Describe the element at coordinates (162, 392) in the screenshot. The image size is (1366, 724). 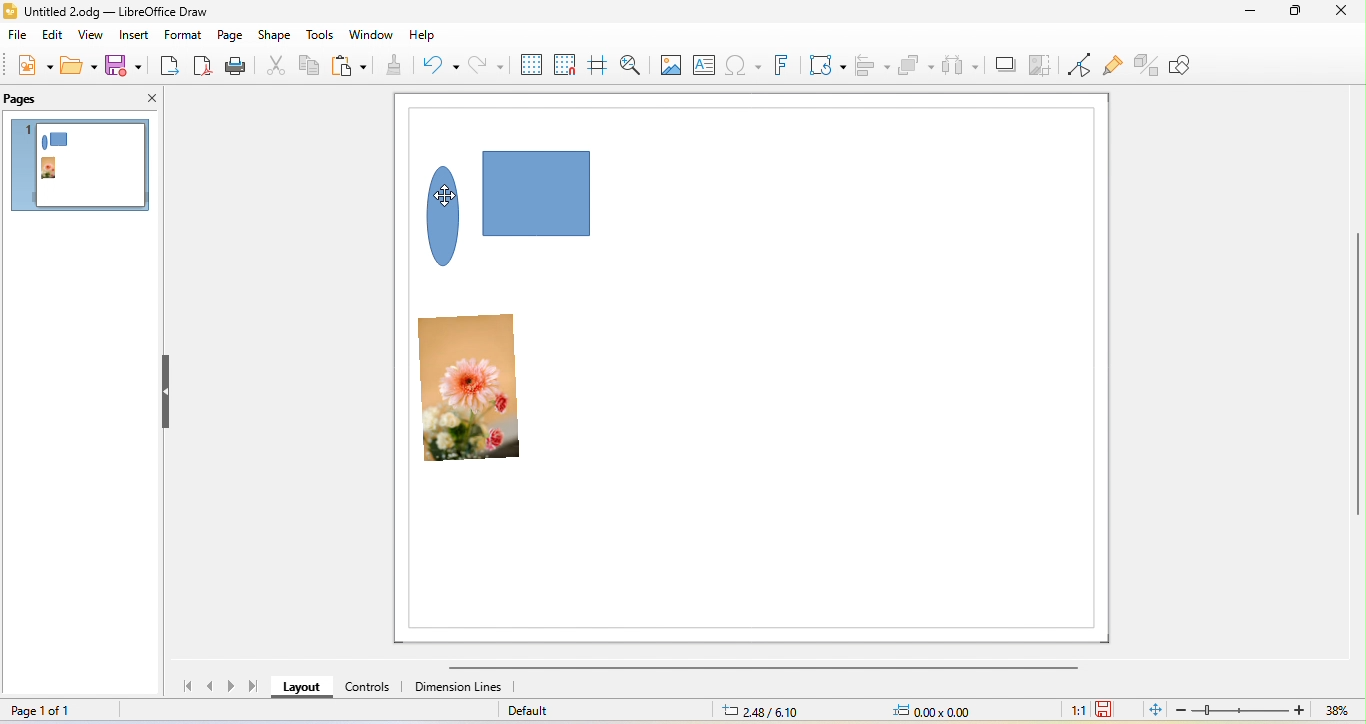
I see `hide side panel` at that location.